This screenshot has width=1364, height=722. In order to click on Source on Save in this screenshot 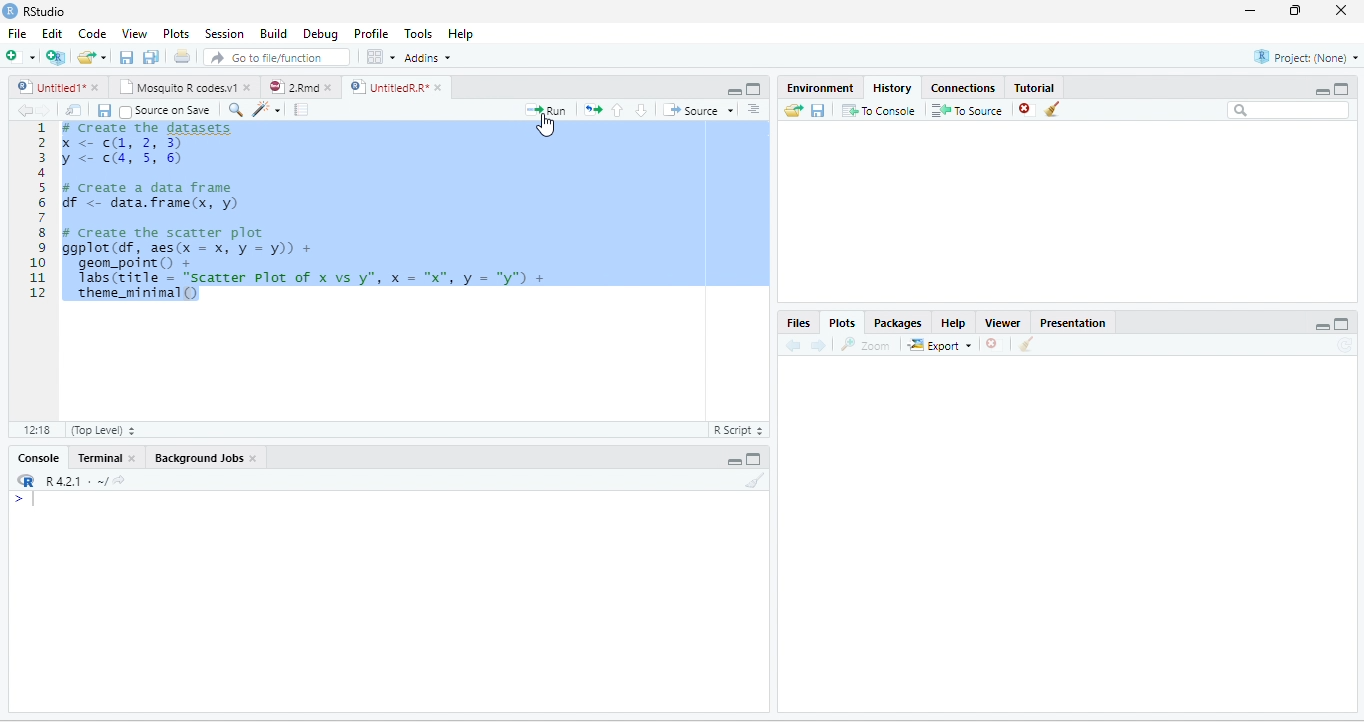, I will do `click(166, 112)`.